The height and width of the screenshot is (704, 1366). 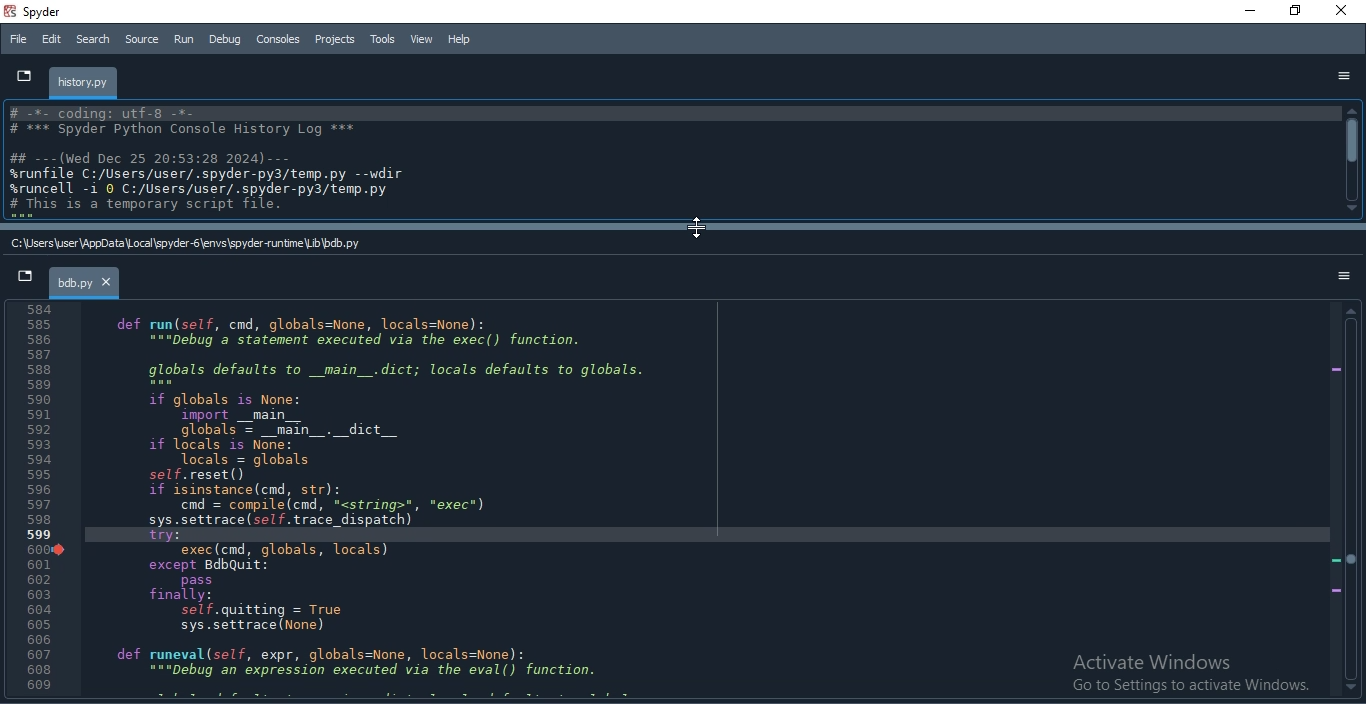 What do you see at coordinates (458, 38) in the screenshot?
I see `Help` at bounding box center [458, 38].